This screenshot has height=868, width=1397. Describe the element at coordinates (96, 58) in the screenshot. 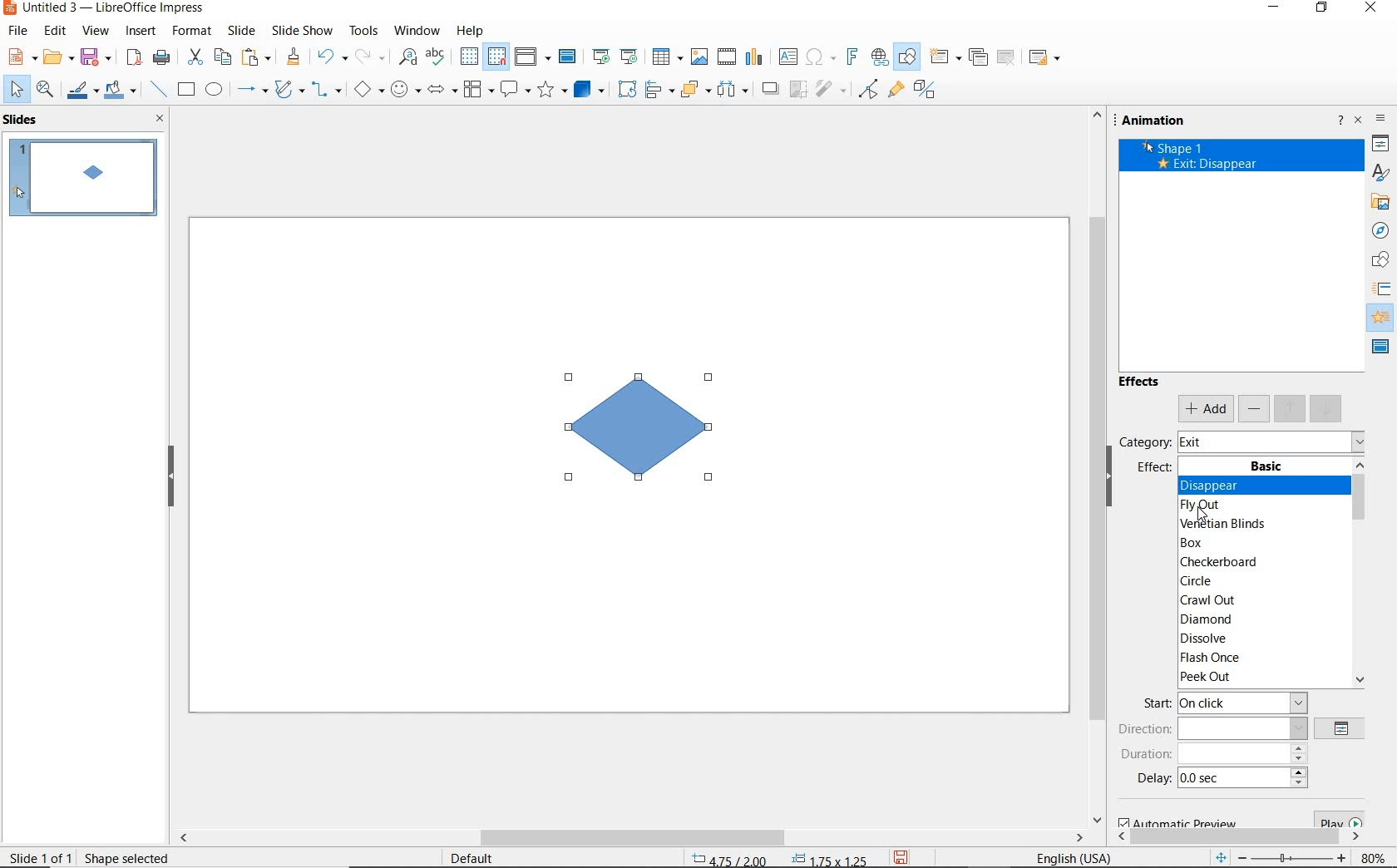

I see `save` at that location.